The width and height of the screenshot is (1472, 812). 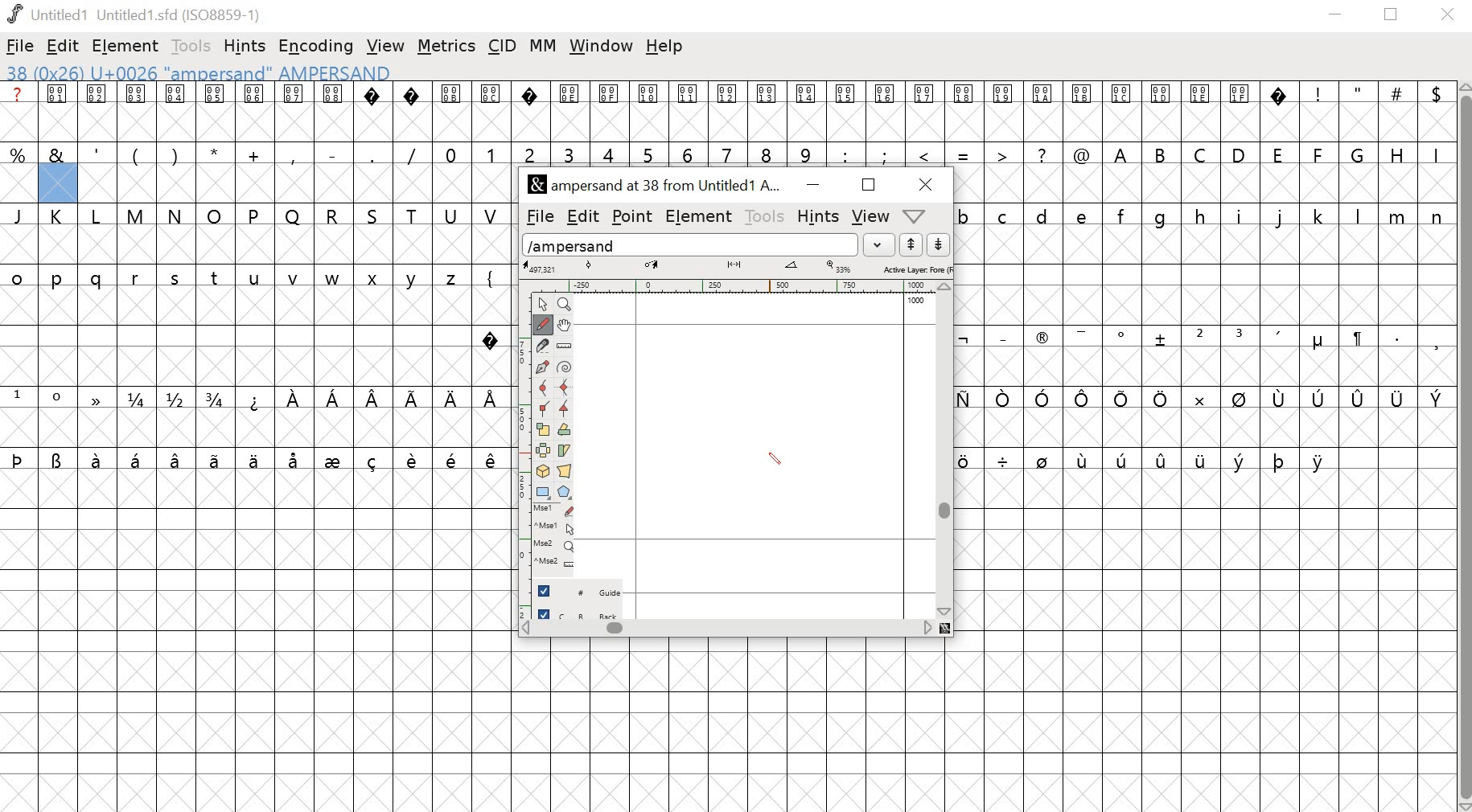 What do you see at coordinates (1124, 336) in the screenshot?
I see `Symbol` at bounding box center [1124, 336].